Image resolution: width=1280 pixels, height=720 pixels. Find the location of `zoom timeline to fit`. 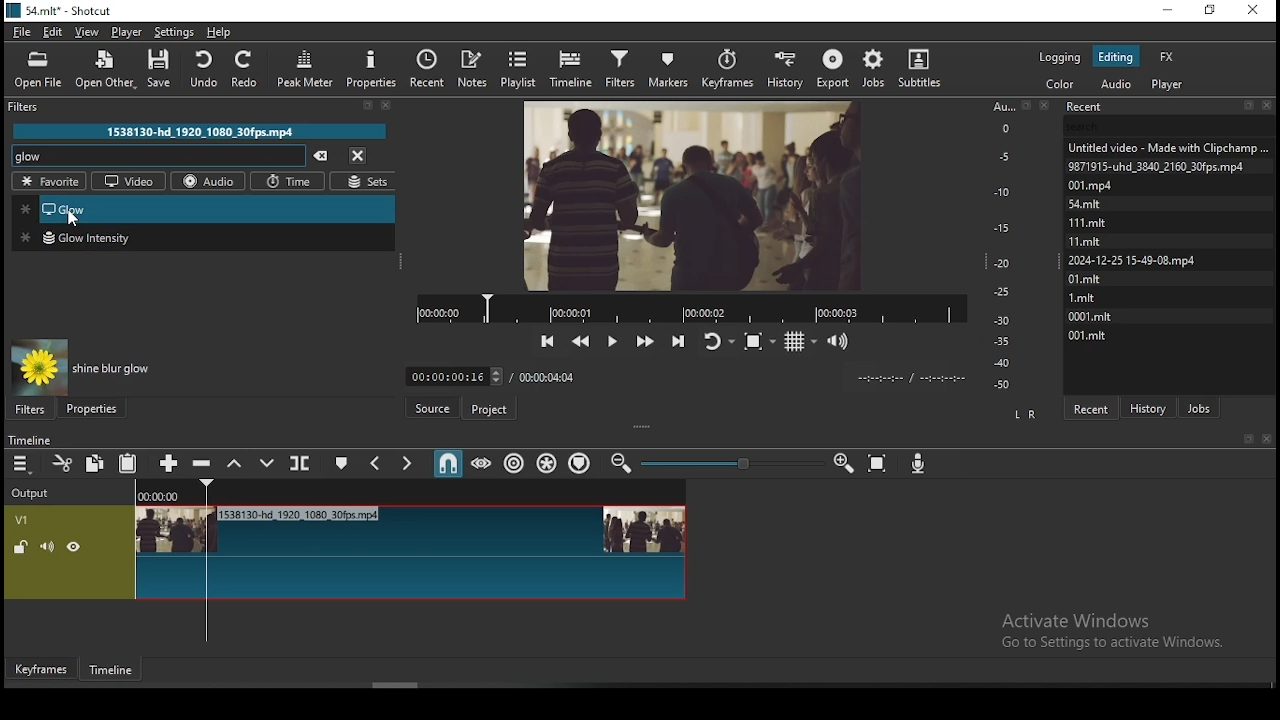

zoom timeline to fit is located at coordinates (879, 464).